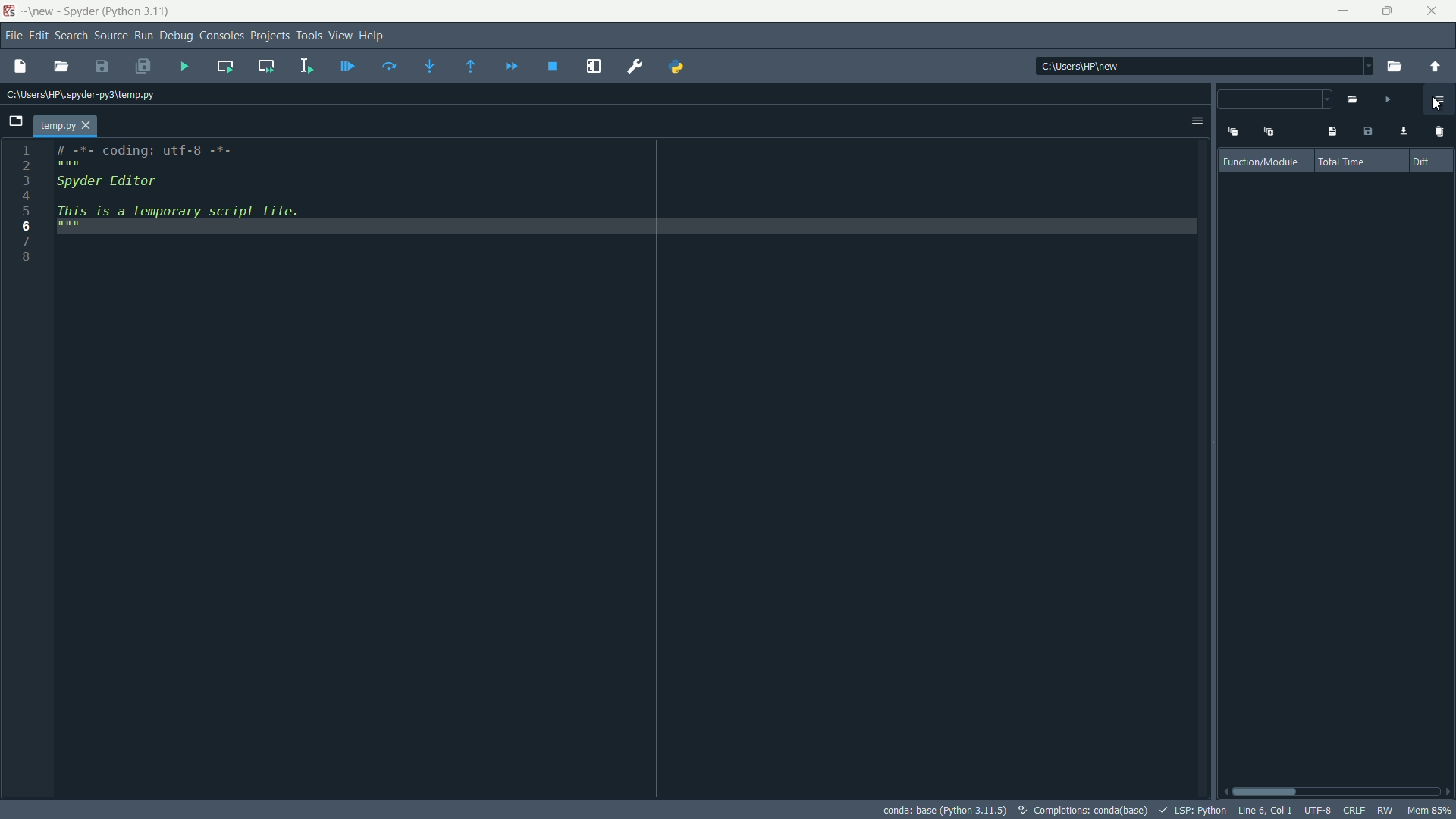 The height and width of the screenshot is (819, 1456). Describe the element at coordinates (192, 219) in the screenshot. I see `This is a temporary script file.` at that location.